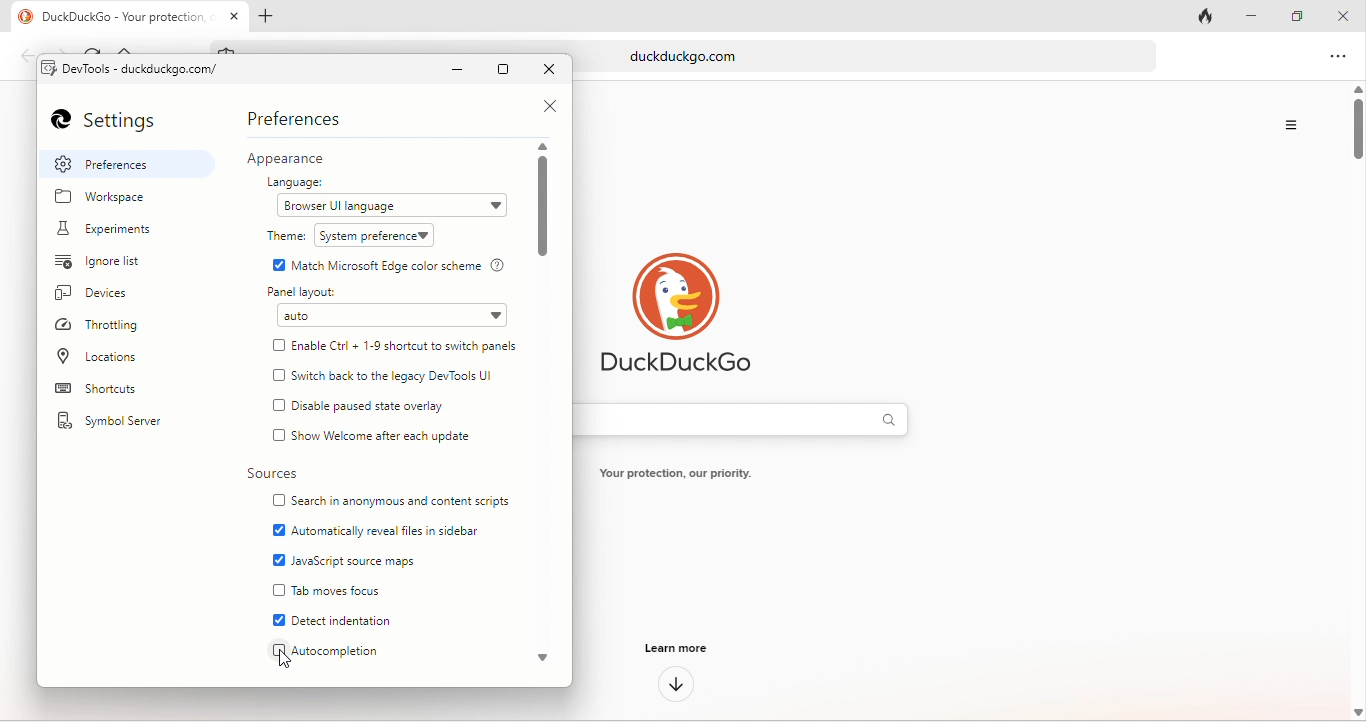 The height and width of the screenshot is (722, 1366). Describe the element at coordinates (279, 502) in the screenshot. I see `checkbox` at that location.